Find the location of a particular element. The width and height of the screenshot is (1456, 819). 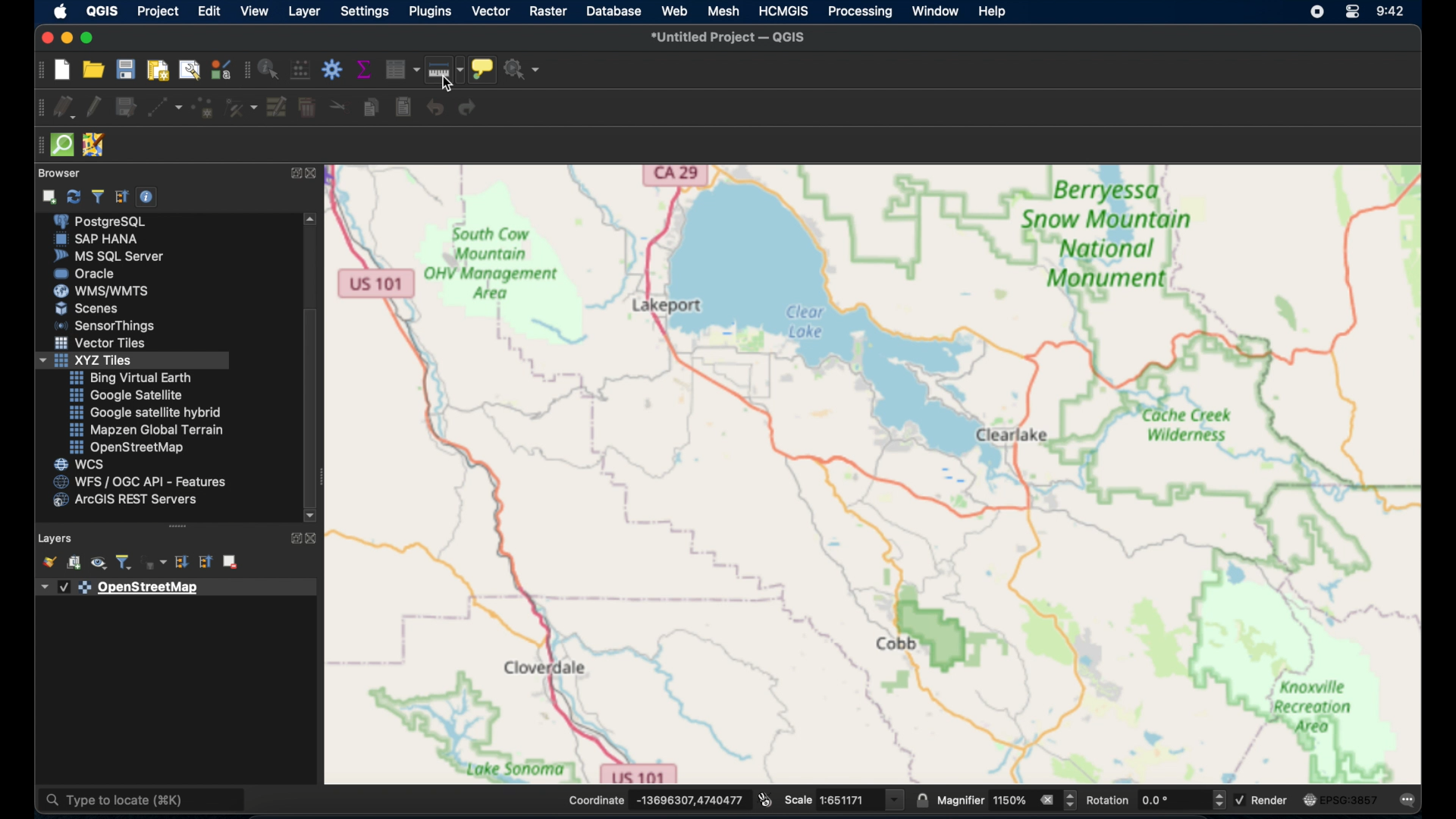

openstreetmap layer is located at coordinates (121, 588).